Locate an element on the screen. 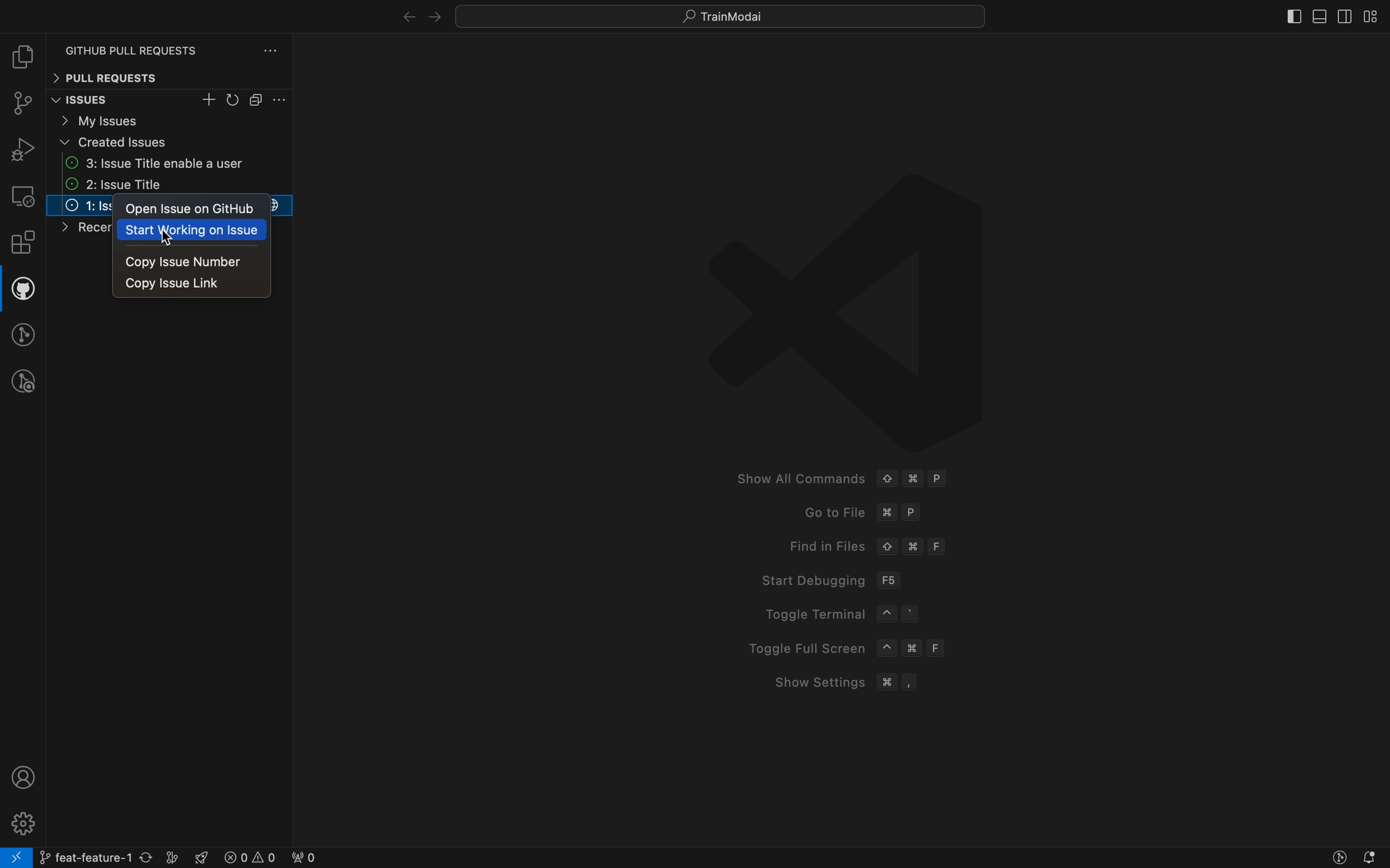 The height and width of the screenshot is (868, 1390). notificatons is located at coordinates (1374, 858).